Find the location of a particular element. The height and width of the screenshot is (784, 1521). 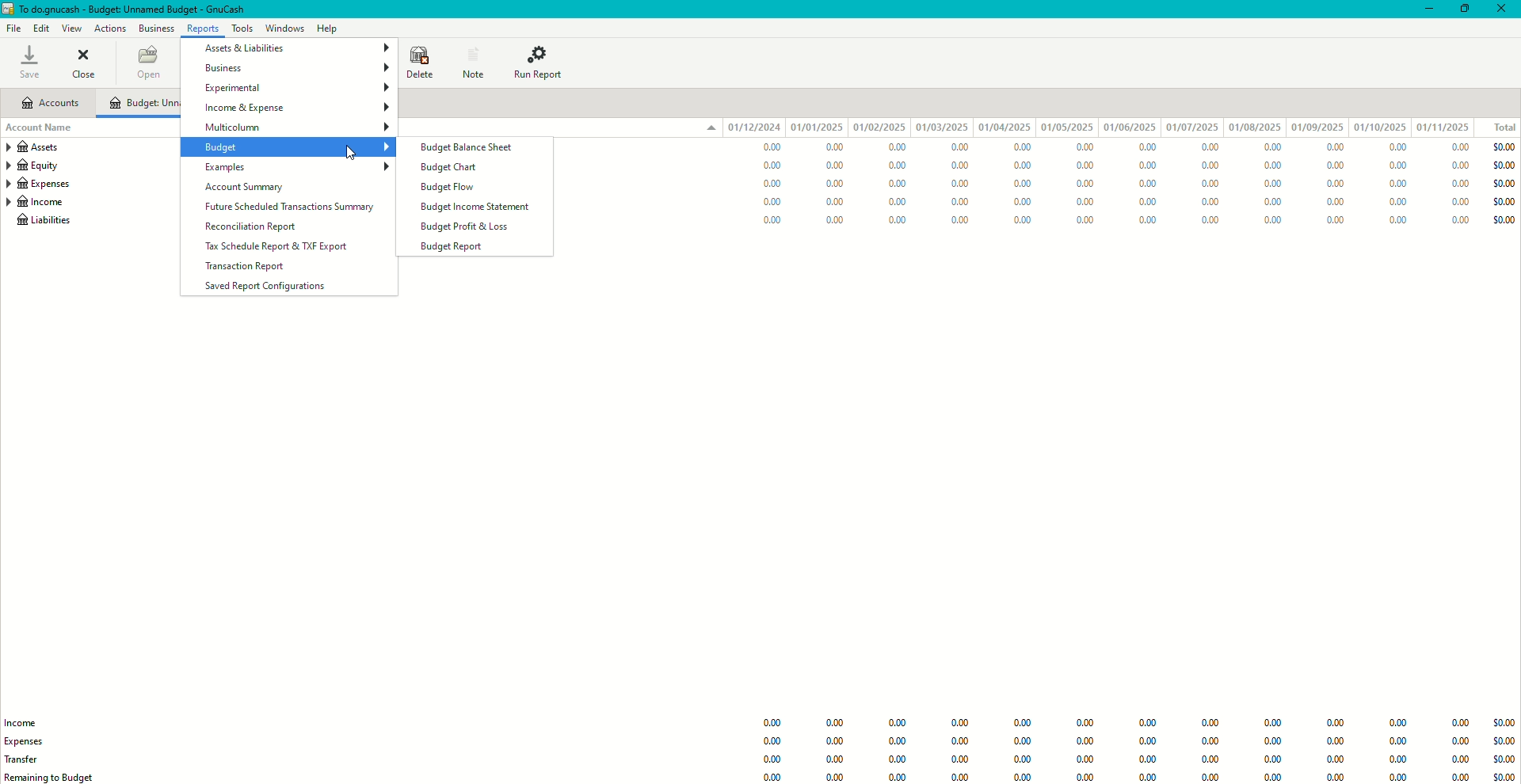

0.00 is located at coordinates (1271, 185).